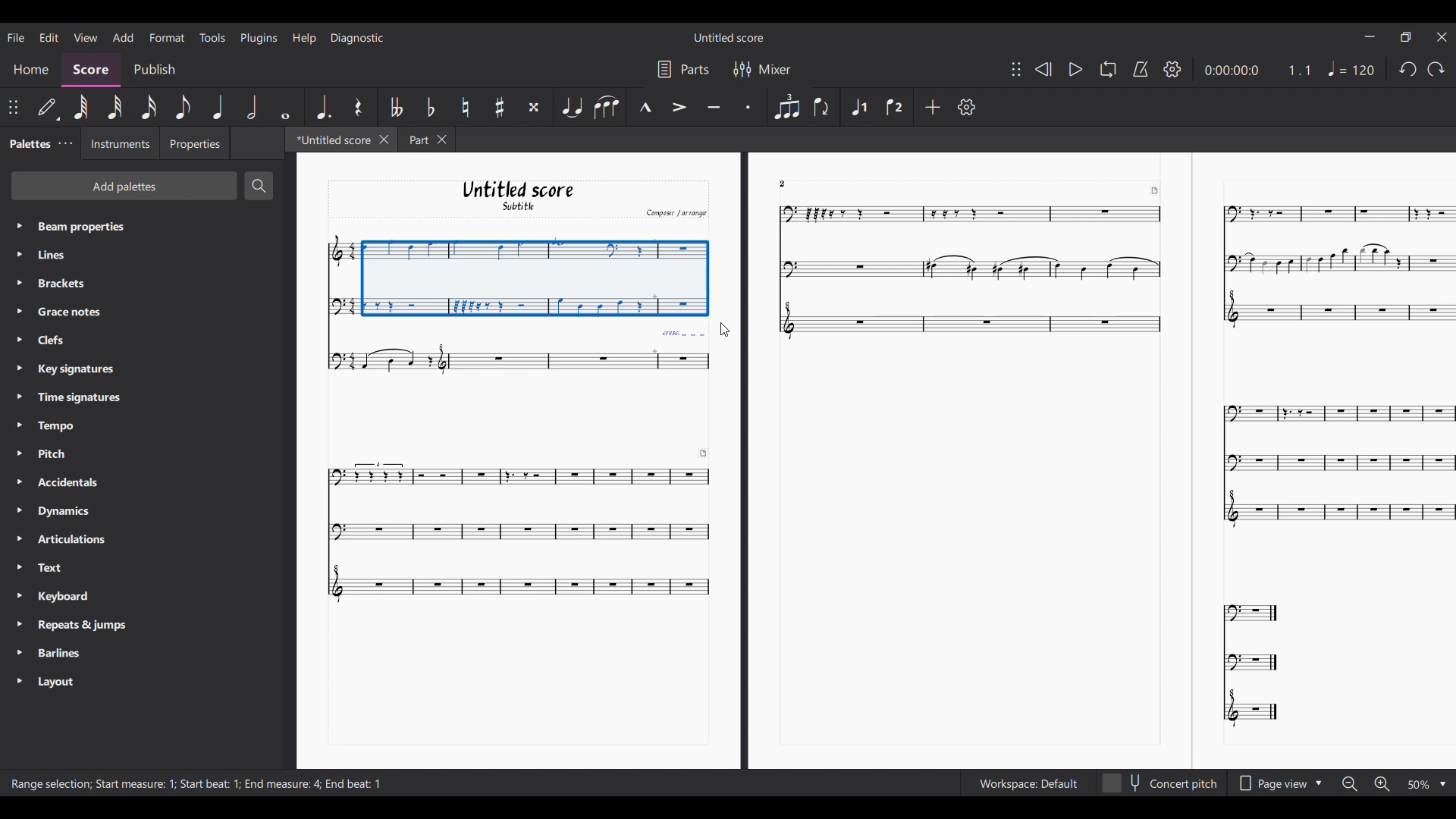  Describe the element at coordinates (303, 39) in the screenshot. I see `Help` at that location.